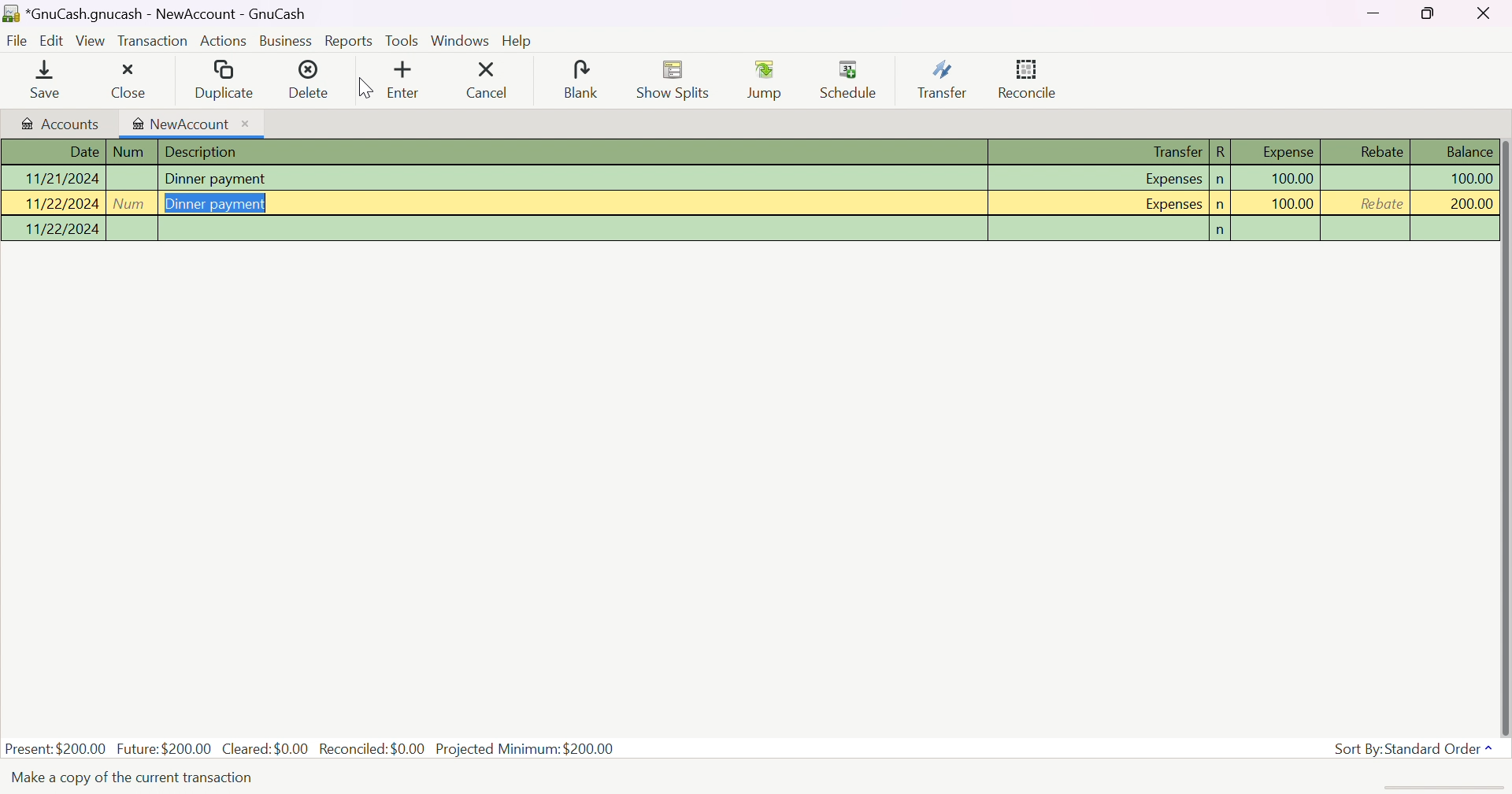  Describe the element at coordinates (191, 124) in the screenshot. I see `NewAccount` at that location.